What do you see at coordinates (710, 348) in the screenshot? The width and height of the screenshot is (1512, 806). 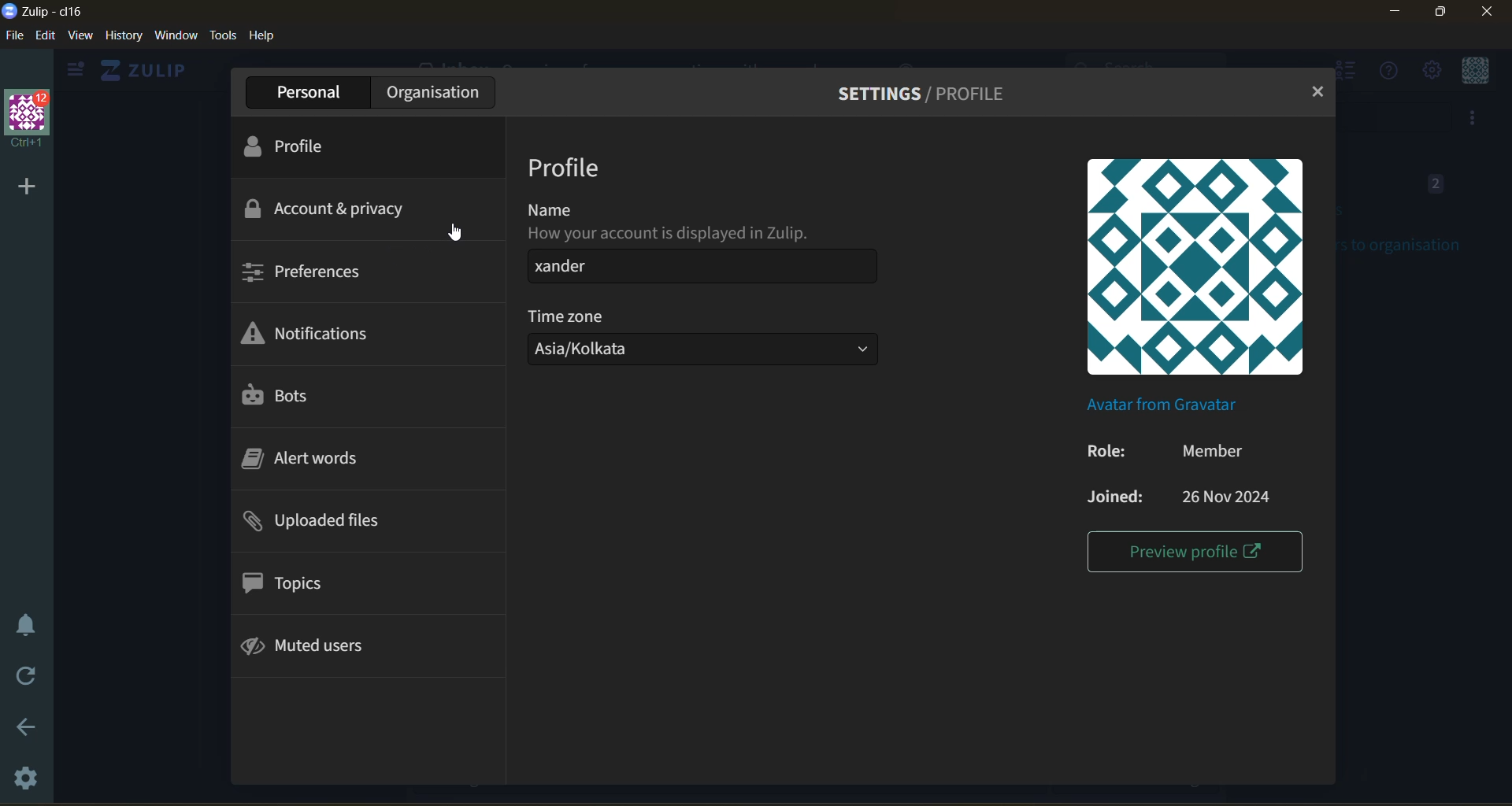 I see `asia/kolkata` at bounding box center [710, 348].